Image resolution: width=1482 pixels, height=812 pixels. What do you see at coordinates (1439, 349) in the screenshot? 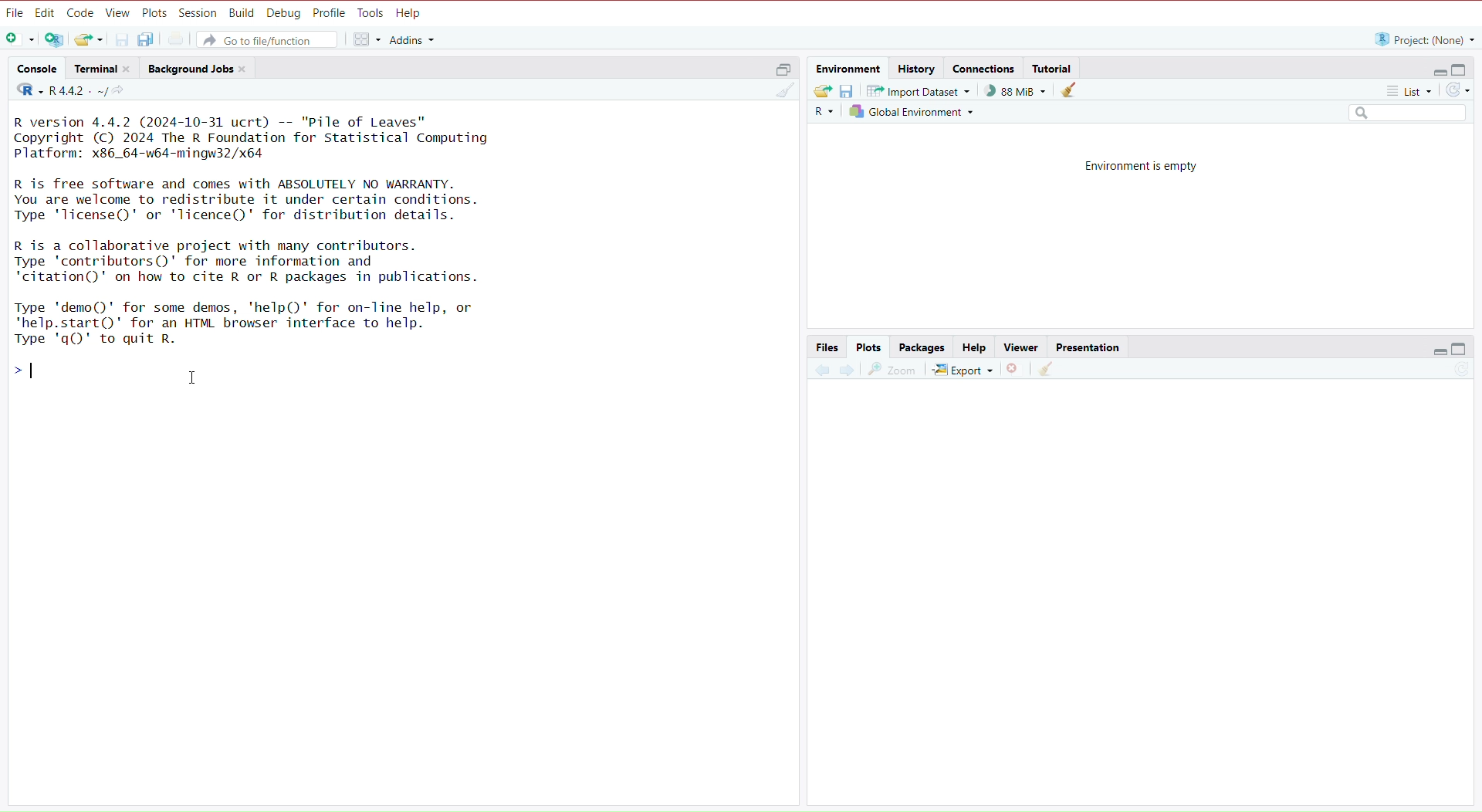
I see `Hide` at bounding box center [1439, 349].